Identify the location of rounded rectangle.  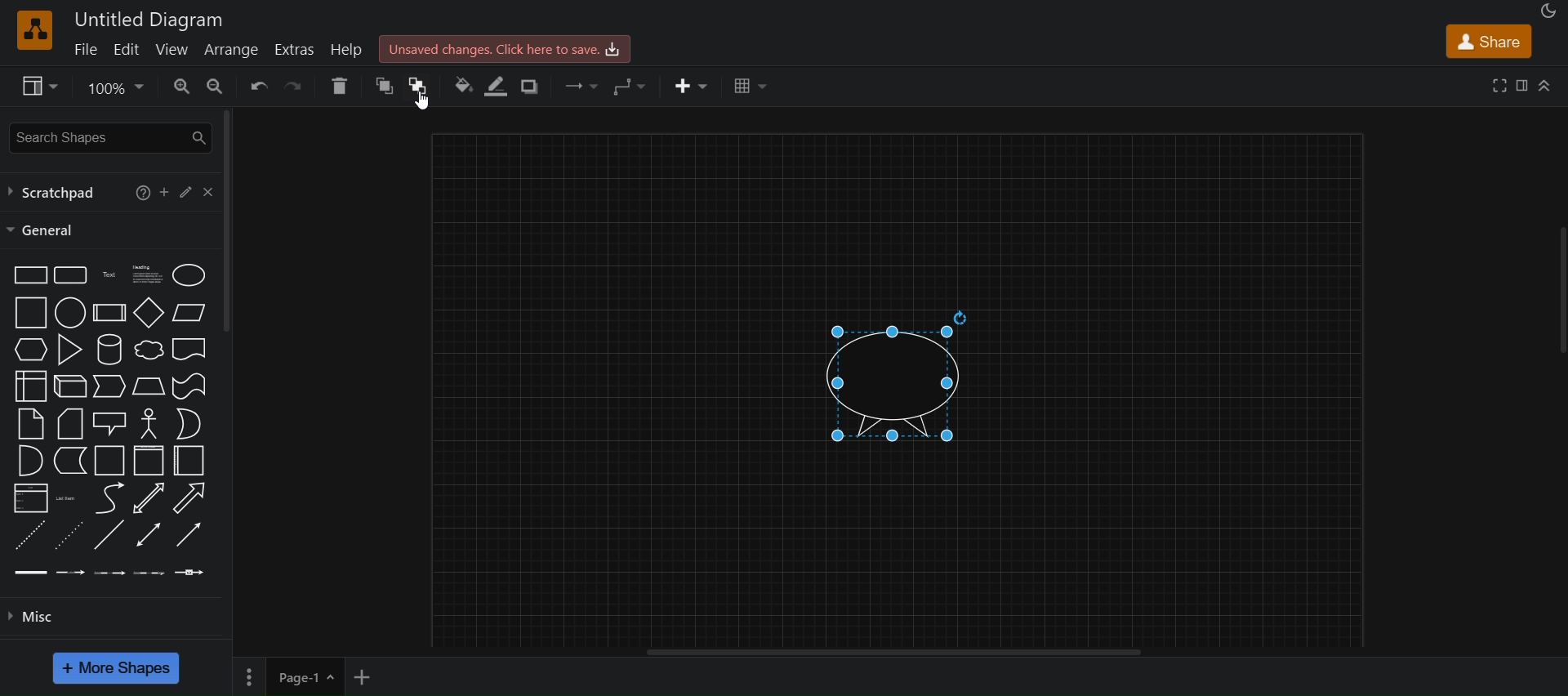
(69, 274).